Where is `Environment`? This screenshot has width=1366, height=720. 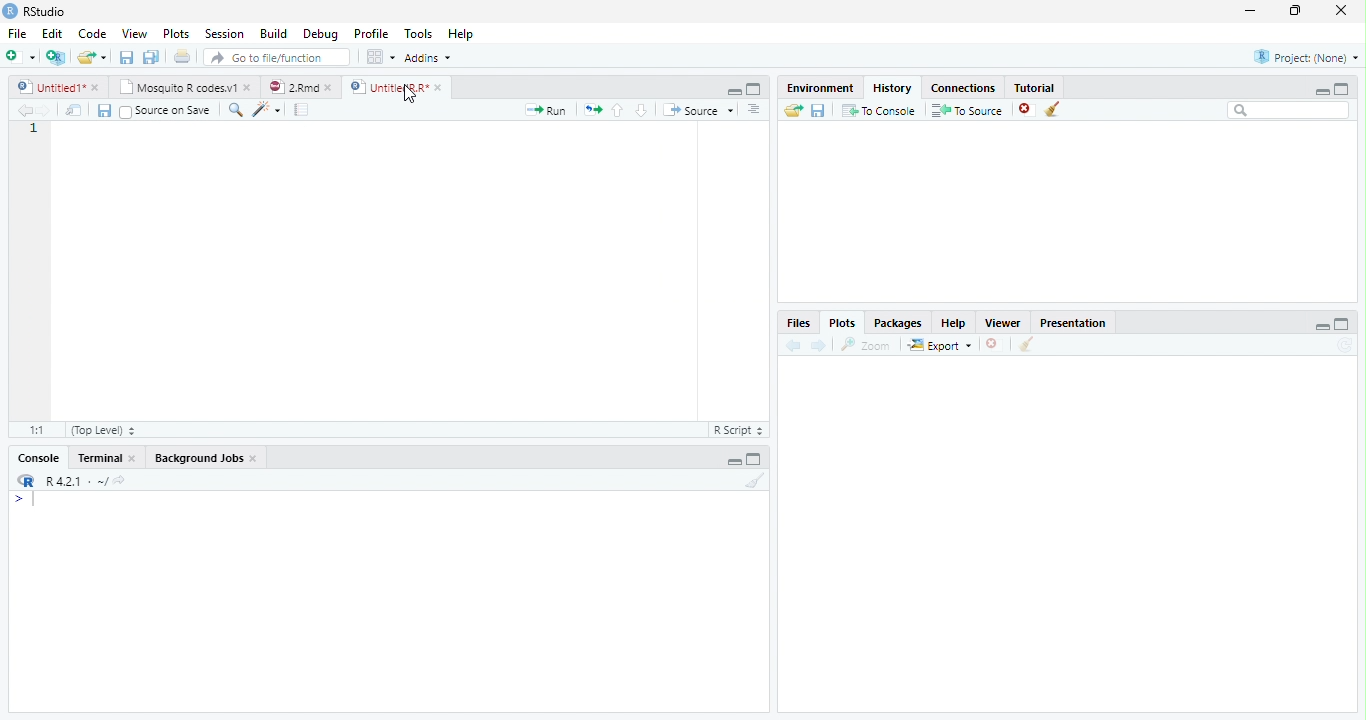 Environment is located at coordinates (821, 88).